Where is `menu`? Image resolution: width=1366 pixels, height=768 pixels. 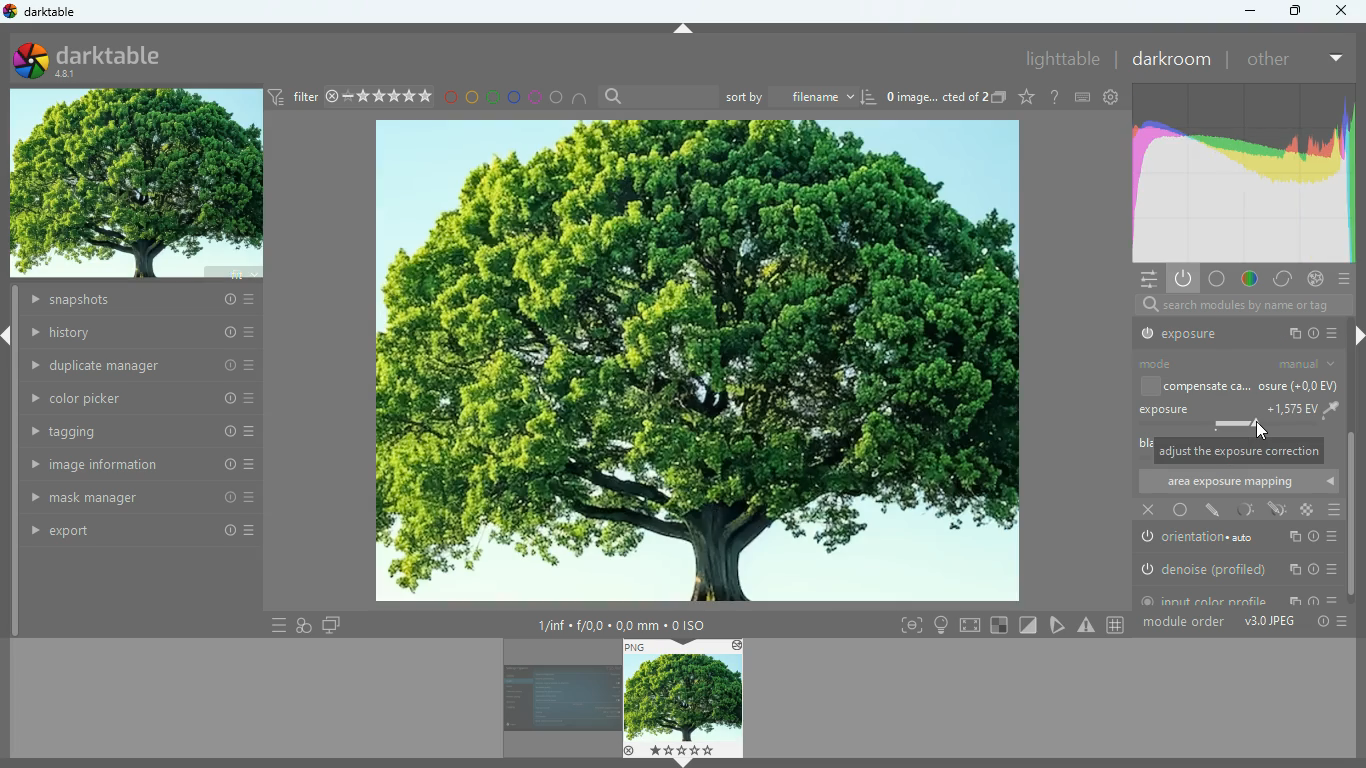
menu is located at coordinates (1337, 510).